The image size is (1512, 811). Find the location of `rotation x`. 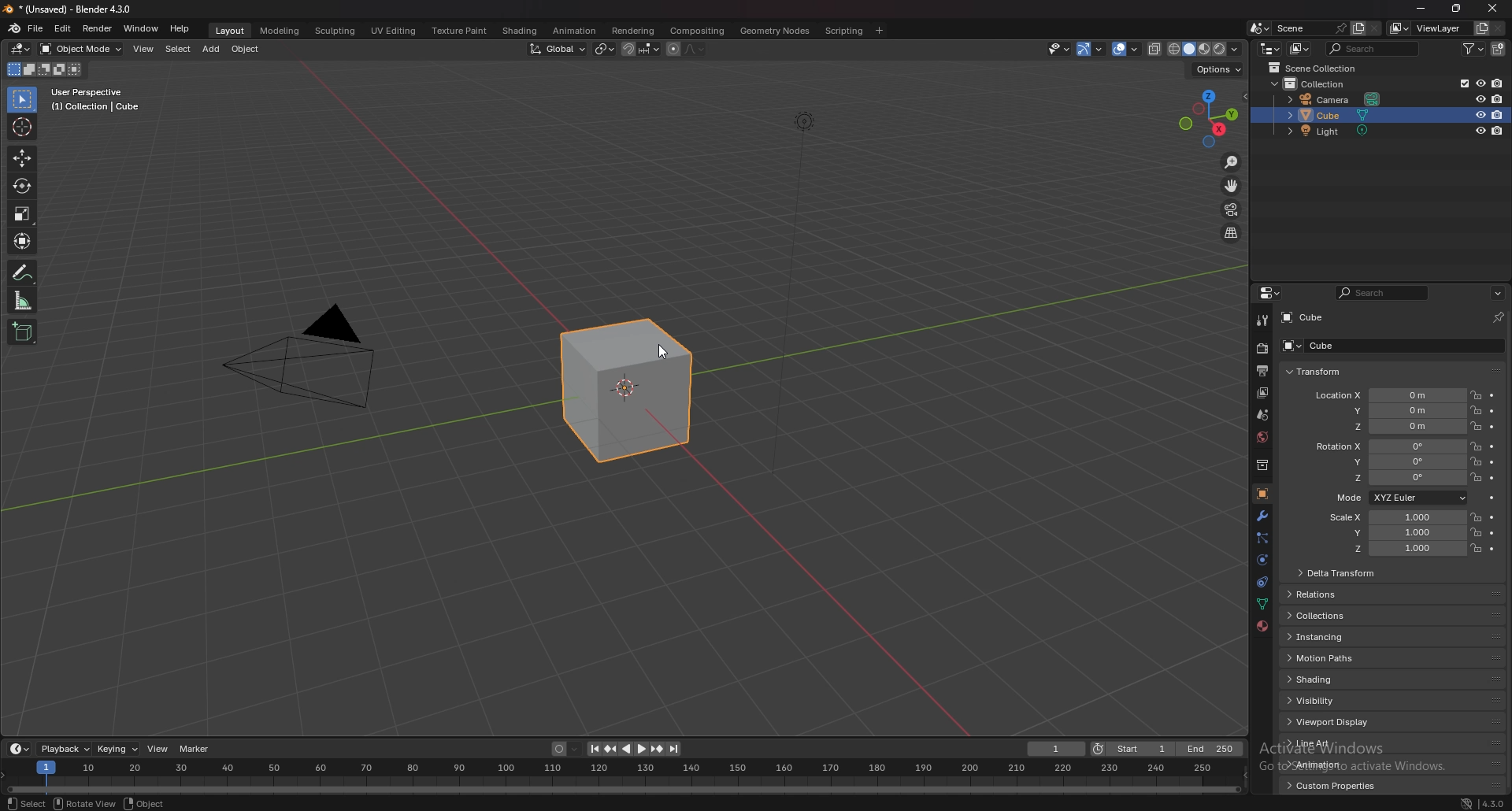

rotation x is located at coordinates (1388, 447).